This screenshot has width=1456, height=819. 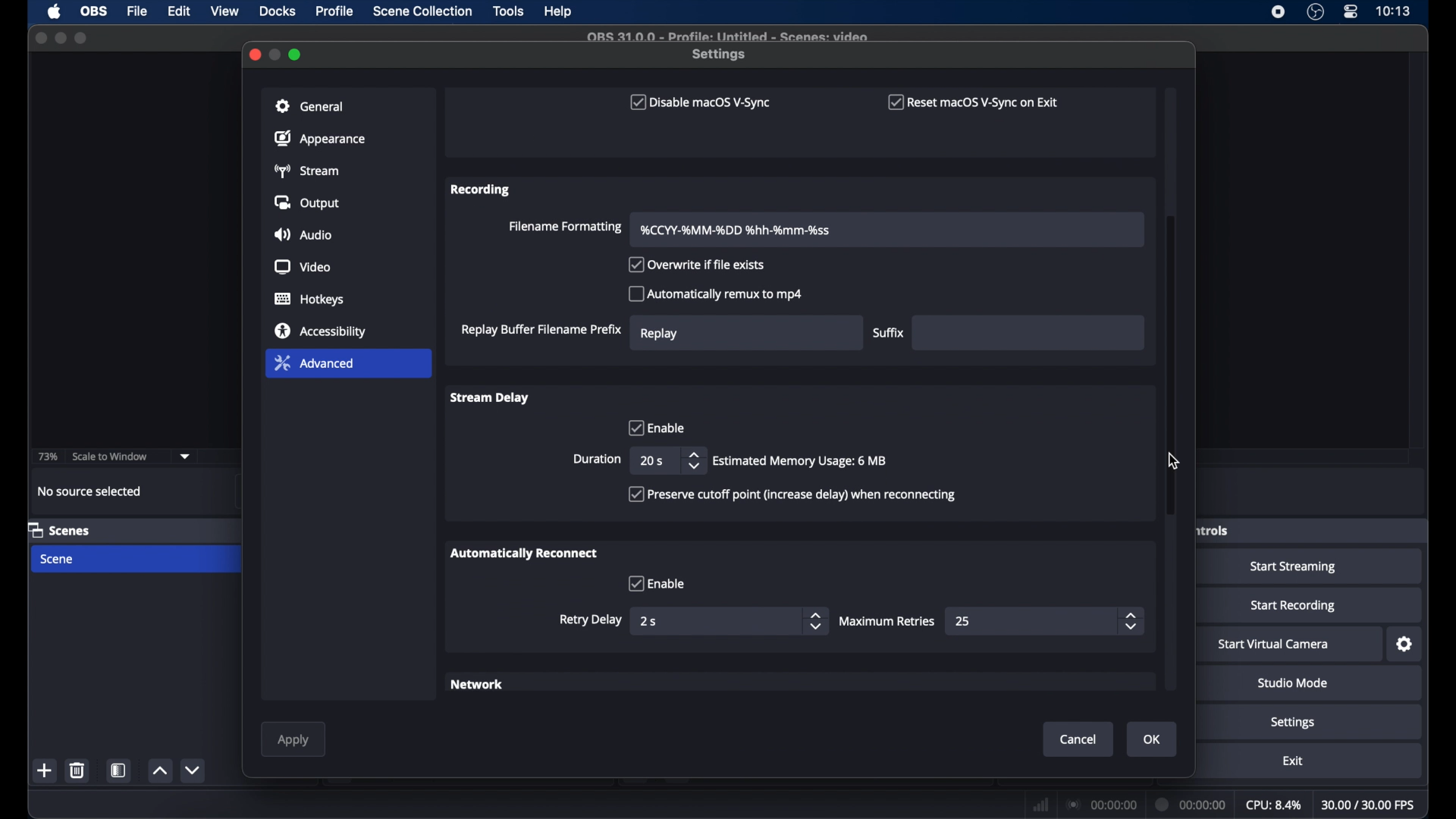 I want to click on 20 s, so click(x=651, y=460).